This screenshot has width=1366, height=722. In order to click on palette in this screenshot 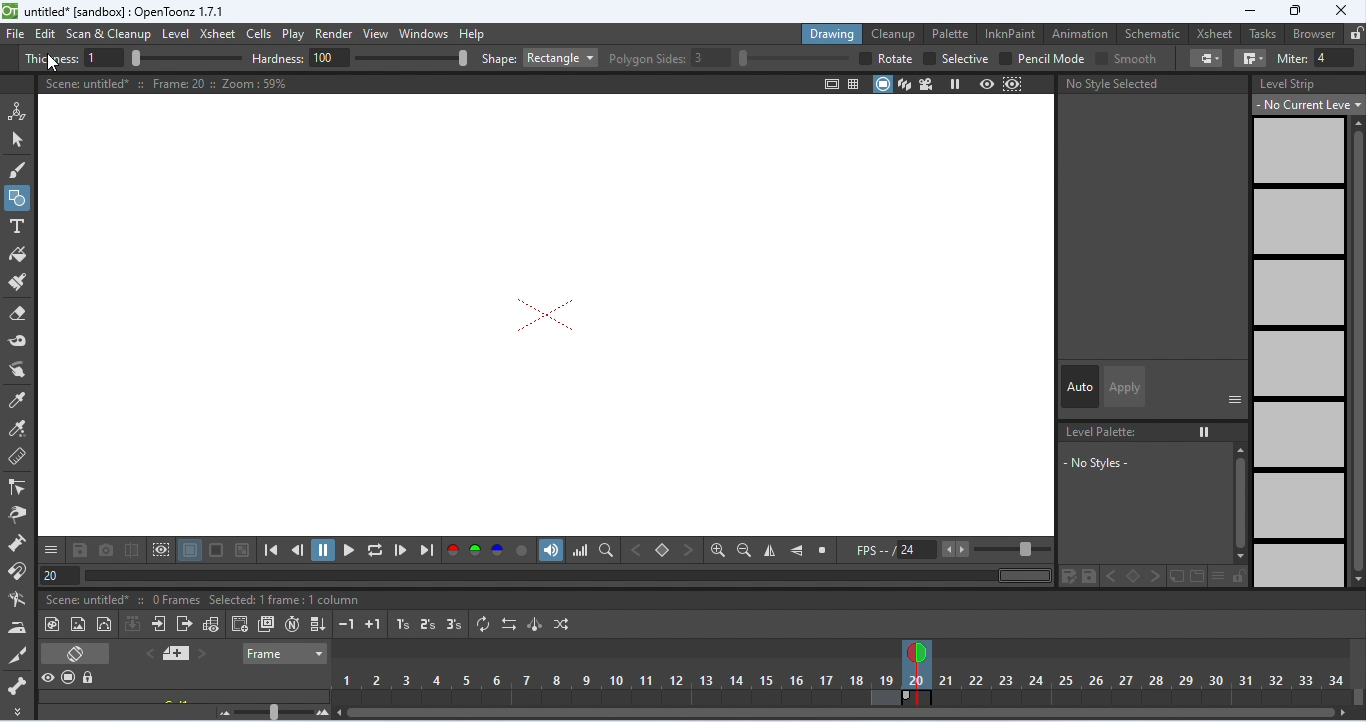, I will do `click(948, 33)`.